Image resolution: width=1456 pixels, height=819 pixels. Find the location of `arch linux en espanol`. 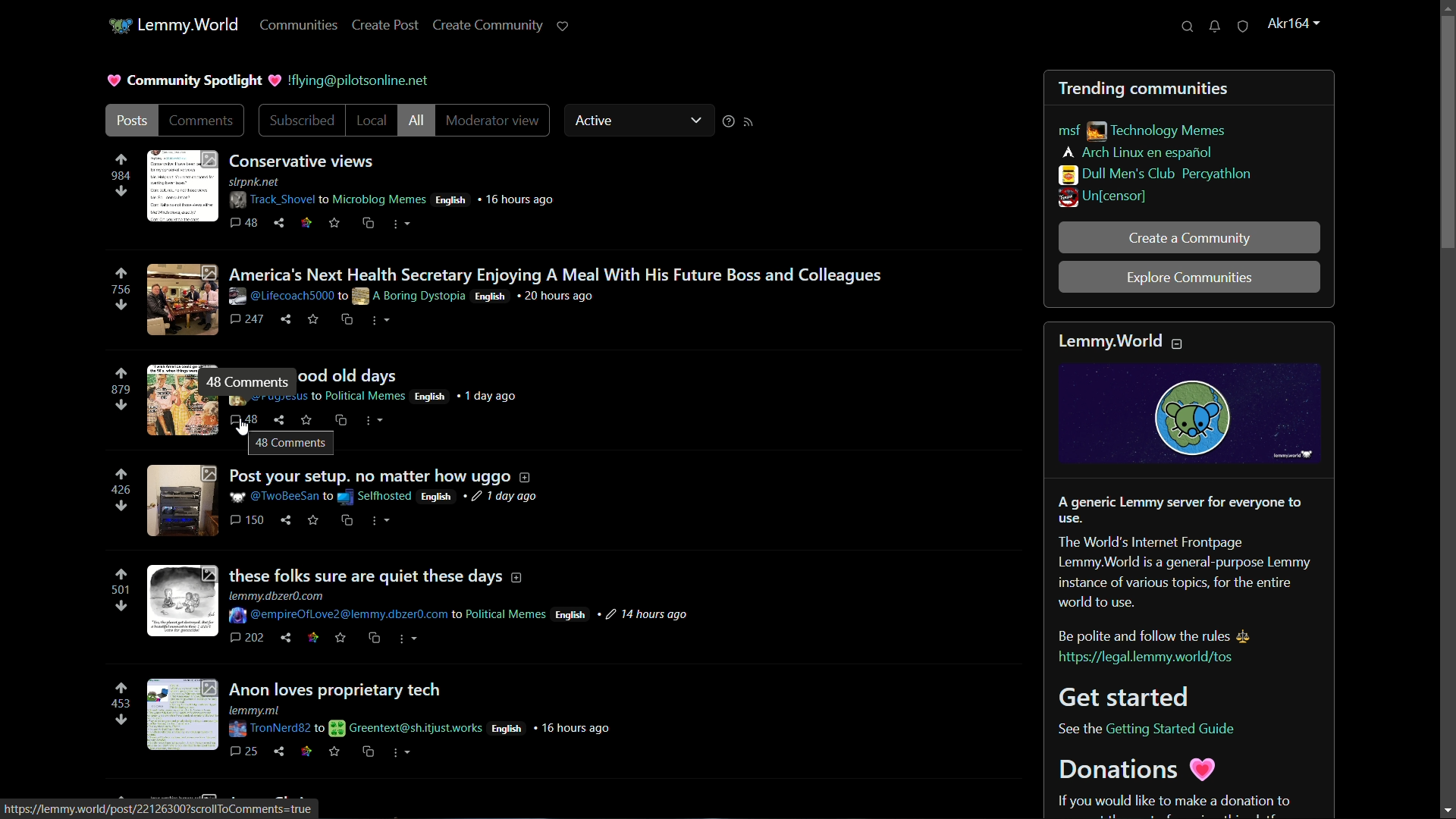

arch linux en espanol is located at coordinates (1137, 152).